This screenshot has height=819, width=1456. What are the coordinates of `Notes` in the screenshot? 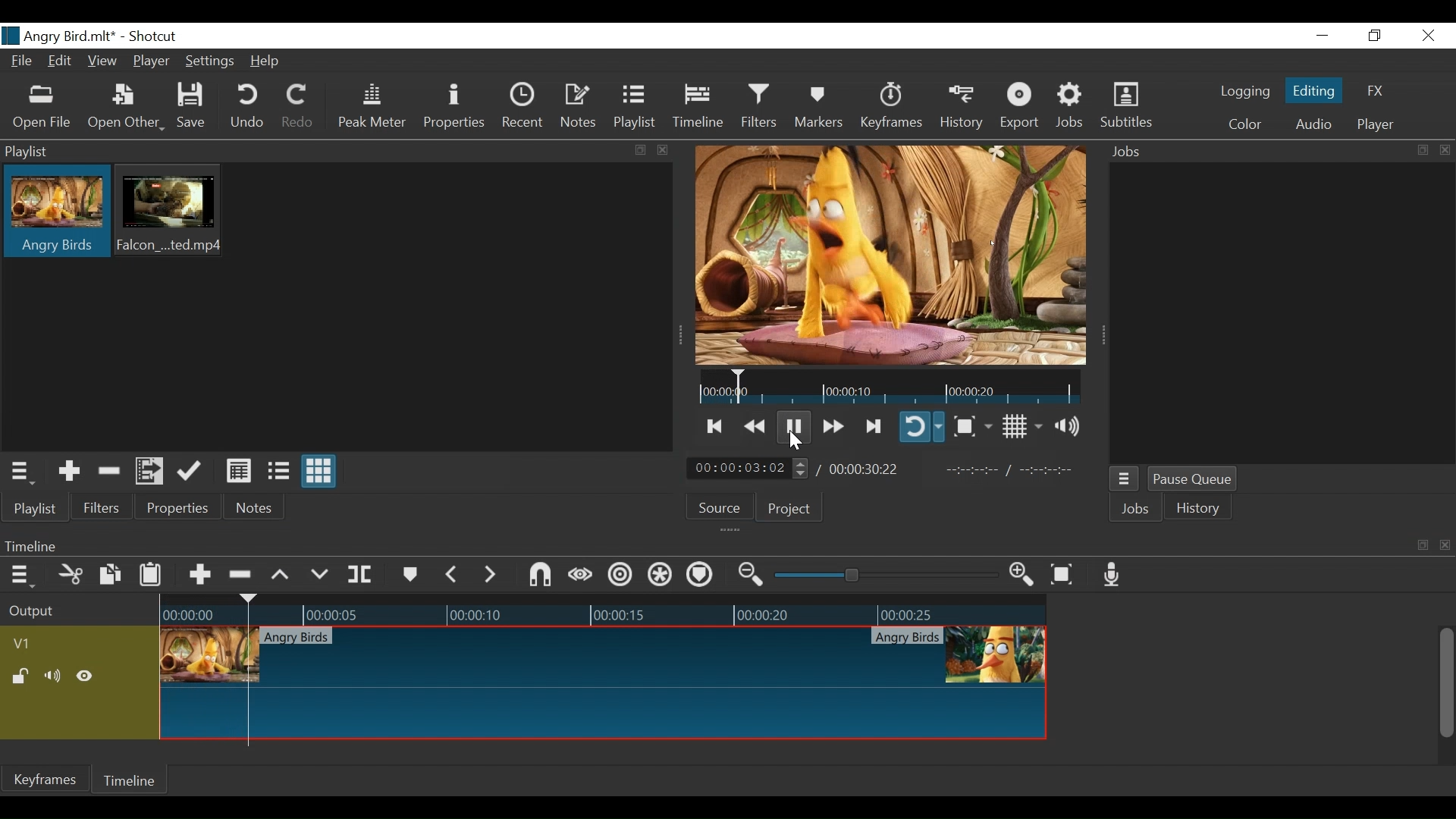 It's located at (581, 108).